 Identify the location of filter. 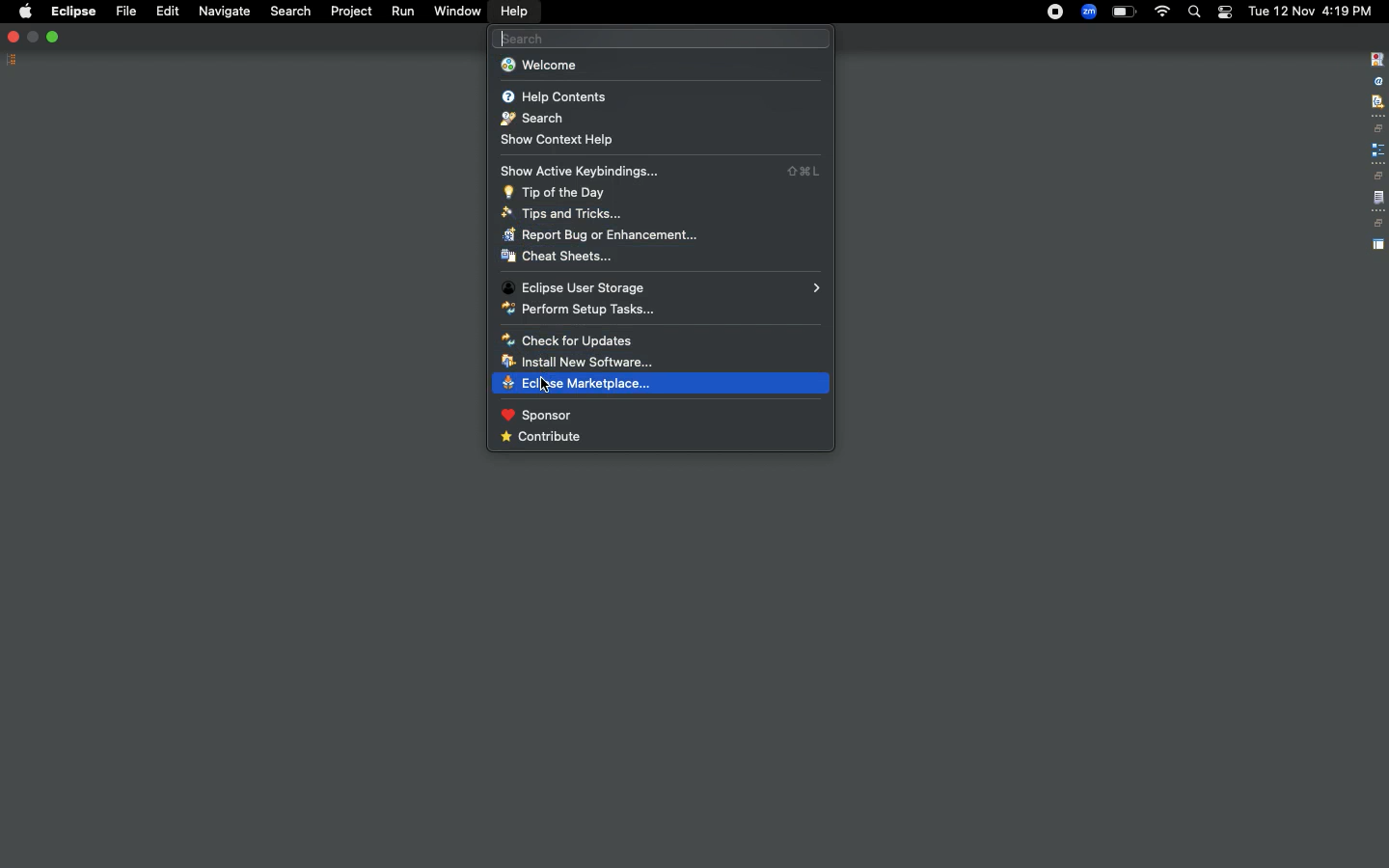
(1376, 101).